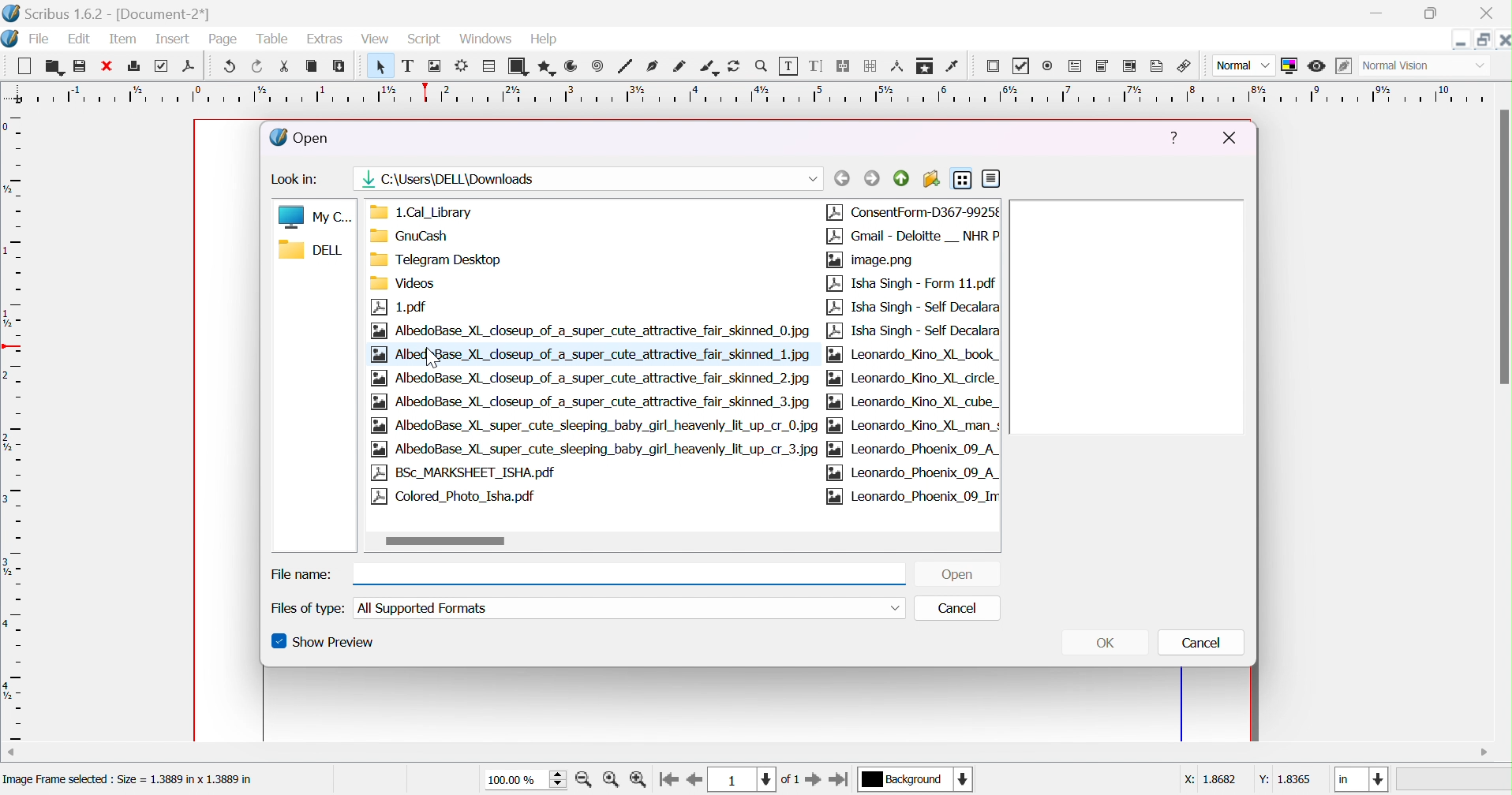 This screenshot has height=795, width=1512. I want to click on insert, so click(175, 39).